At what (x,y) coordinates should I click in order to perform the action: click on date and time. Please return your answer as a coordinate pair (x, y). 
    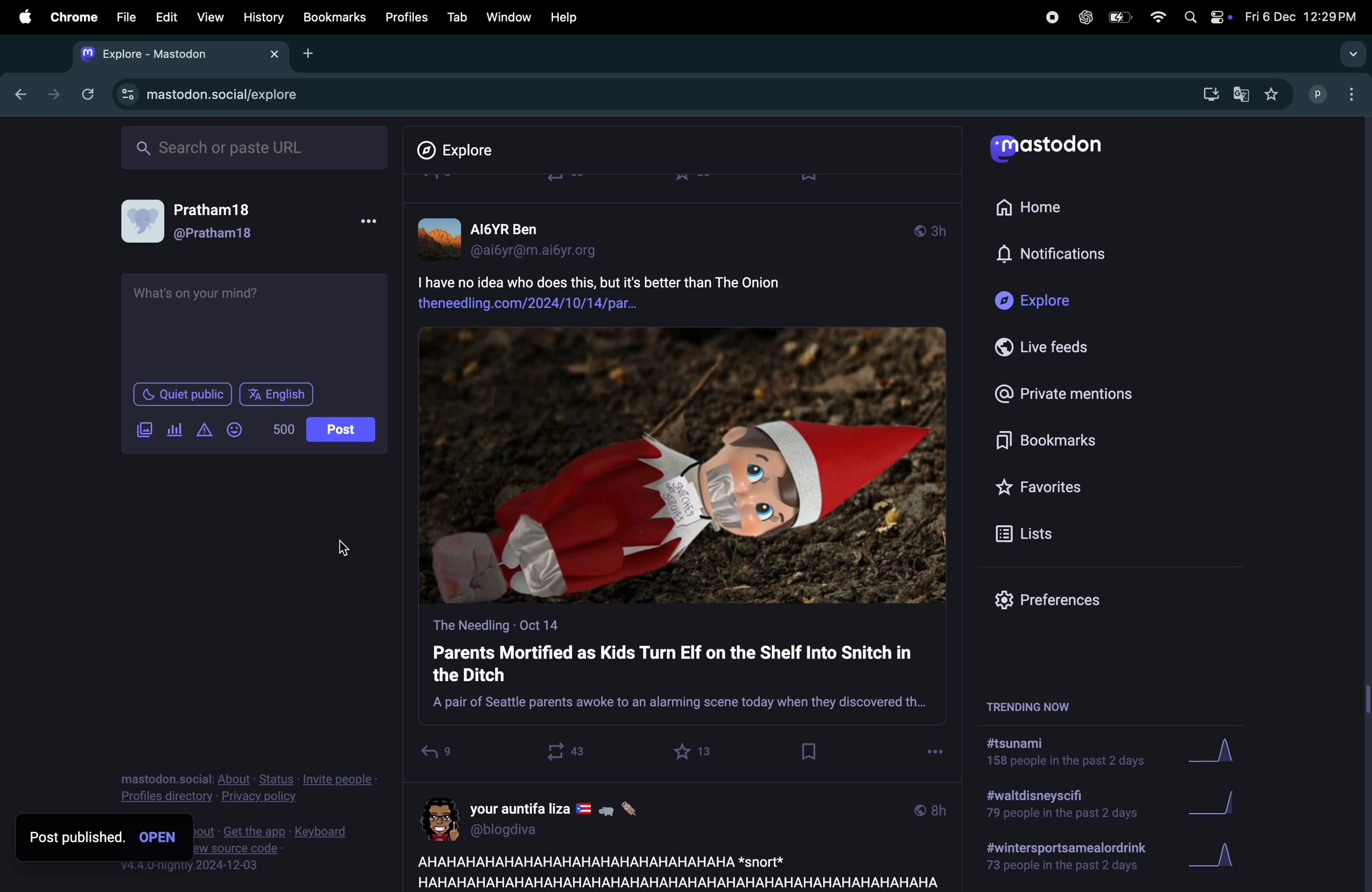
    Looking at the image, I should click on (1299, 17).